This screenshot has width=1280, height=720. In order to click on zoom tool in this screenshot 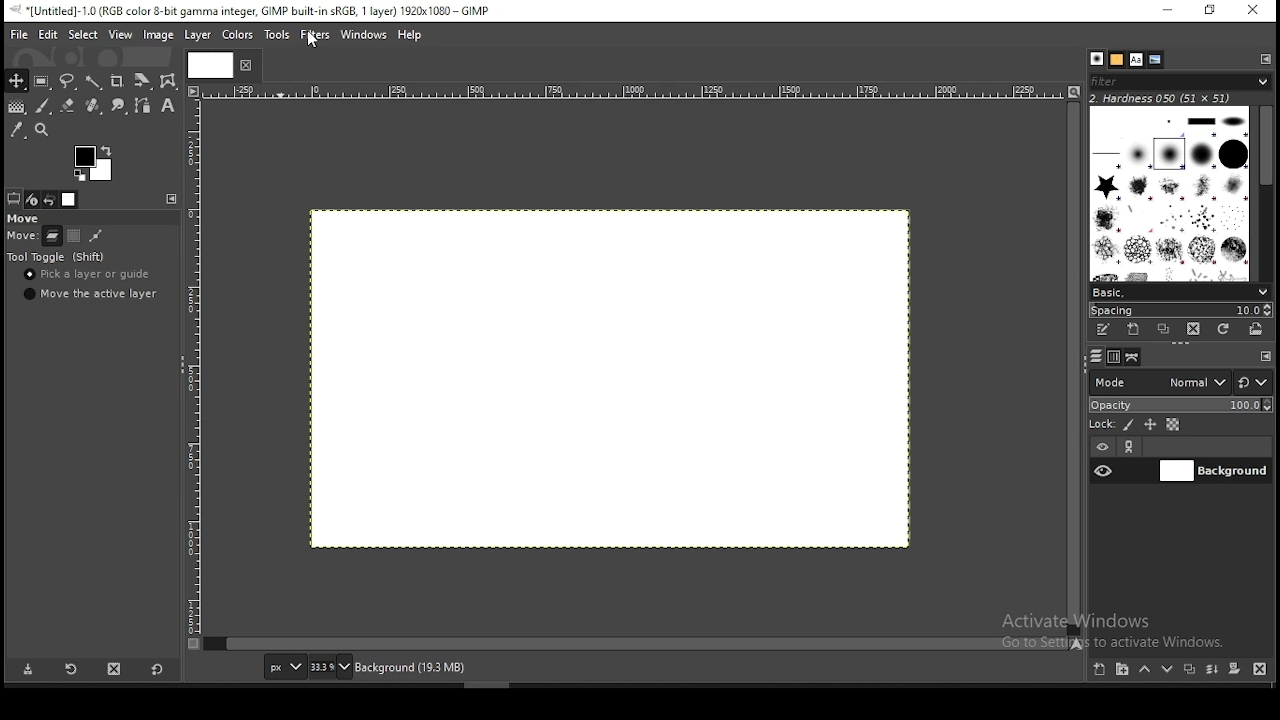, I will do `click(48, 130)`.